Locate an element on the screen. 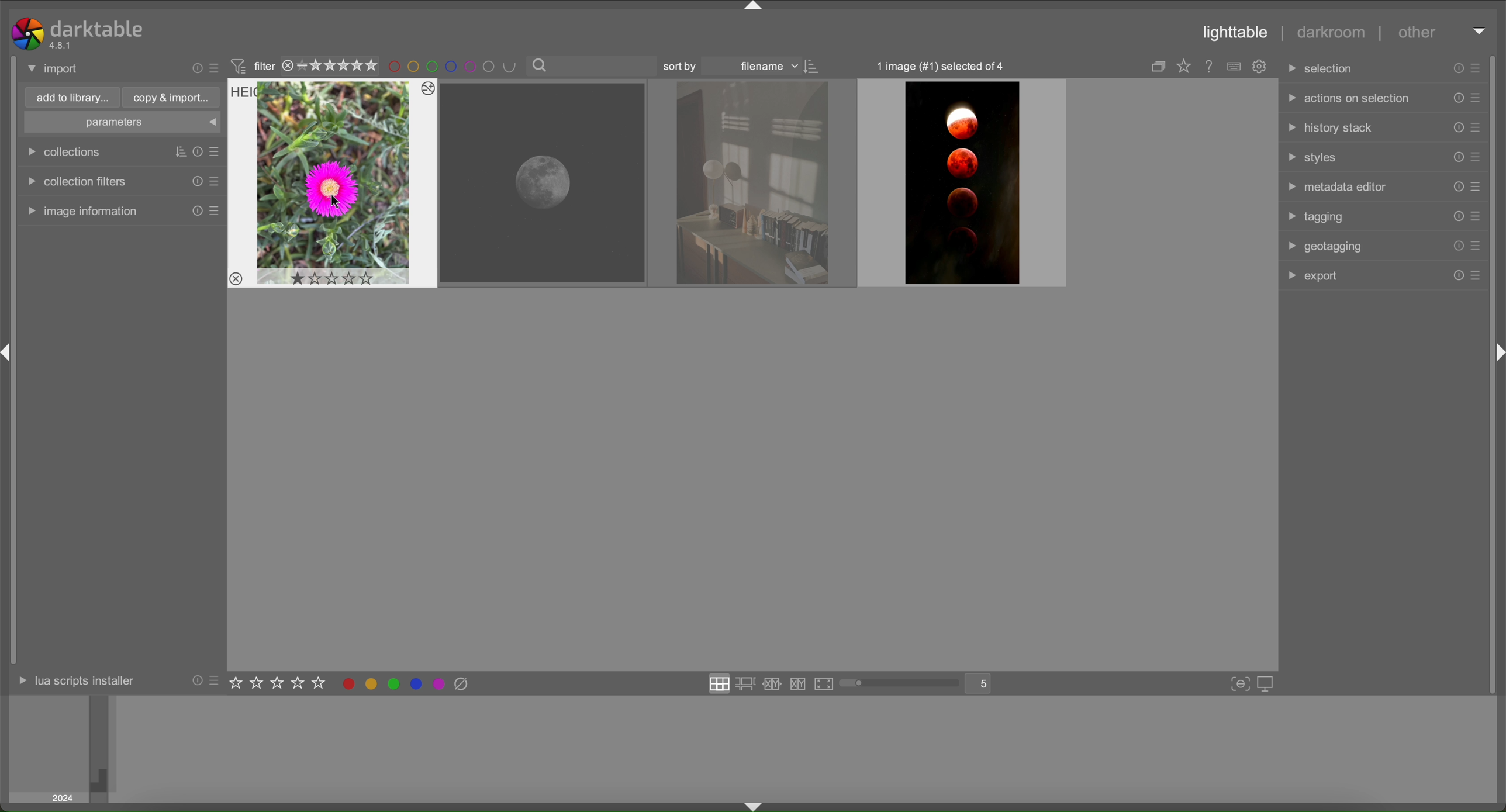 The width and height of the screenshot is (1506, 812). geotagging tab is located at coordinates (1322, 247).